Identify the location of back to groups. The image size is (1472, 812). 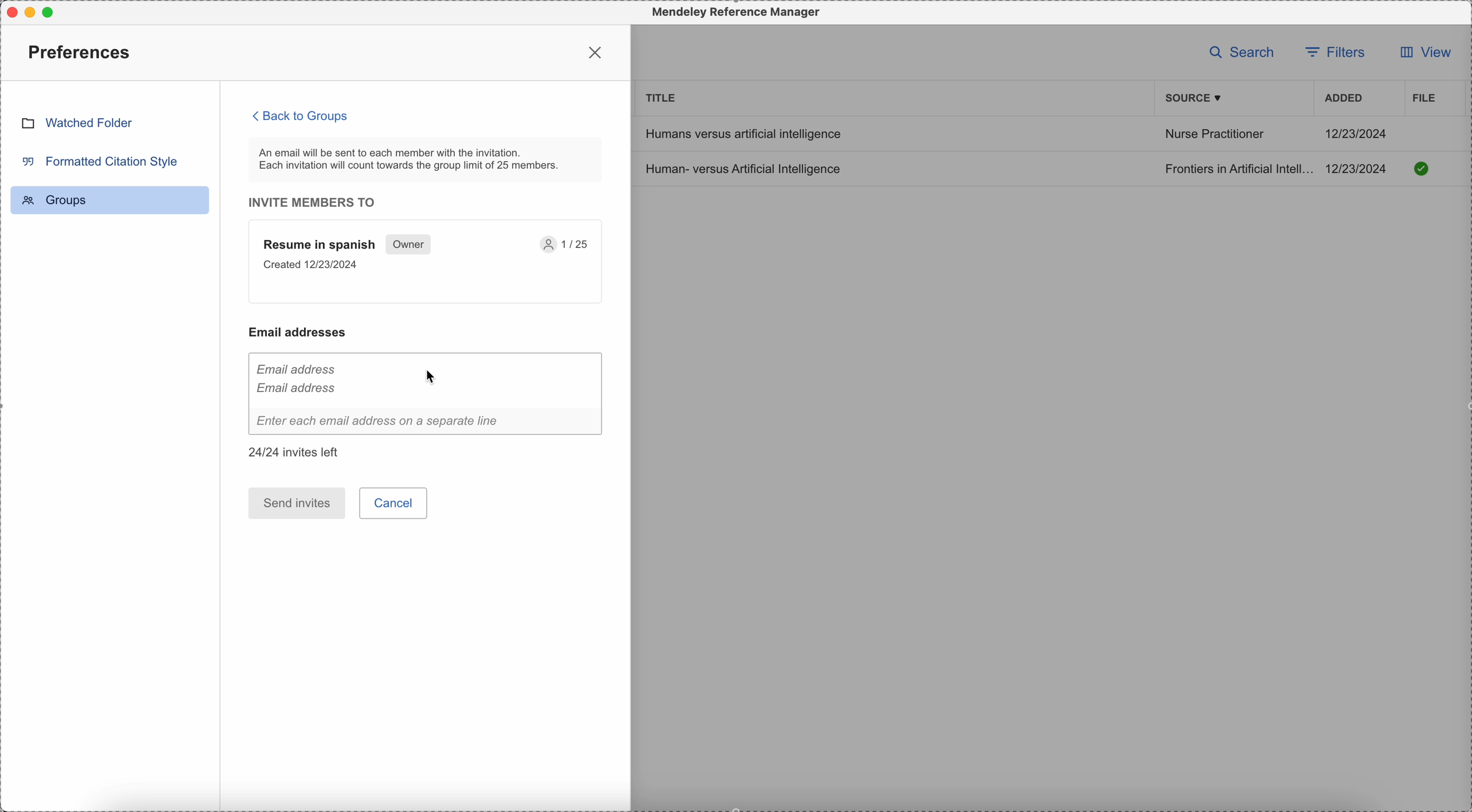
(301, 115).